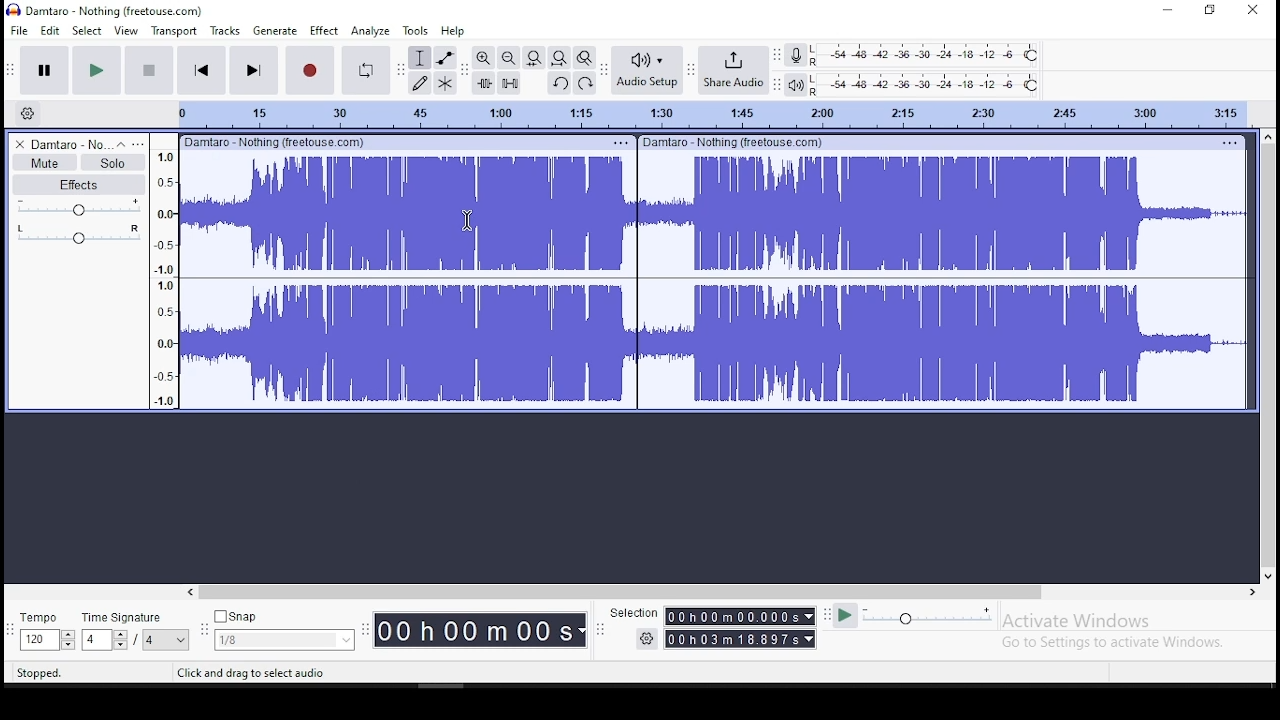 The width and height of the screenshot is (1280, 720). Describe the element at coordinates (43, 162) in the screenshot. I see `mute` at that location.